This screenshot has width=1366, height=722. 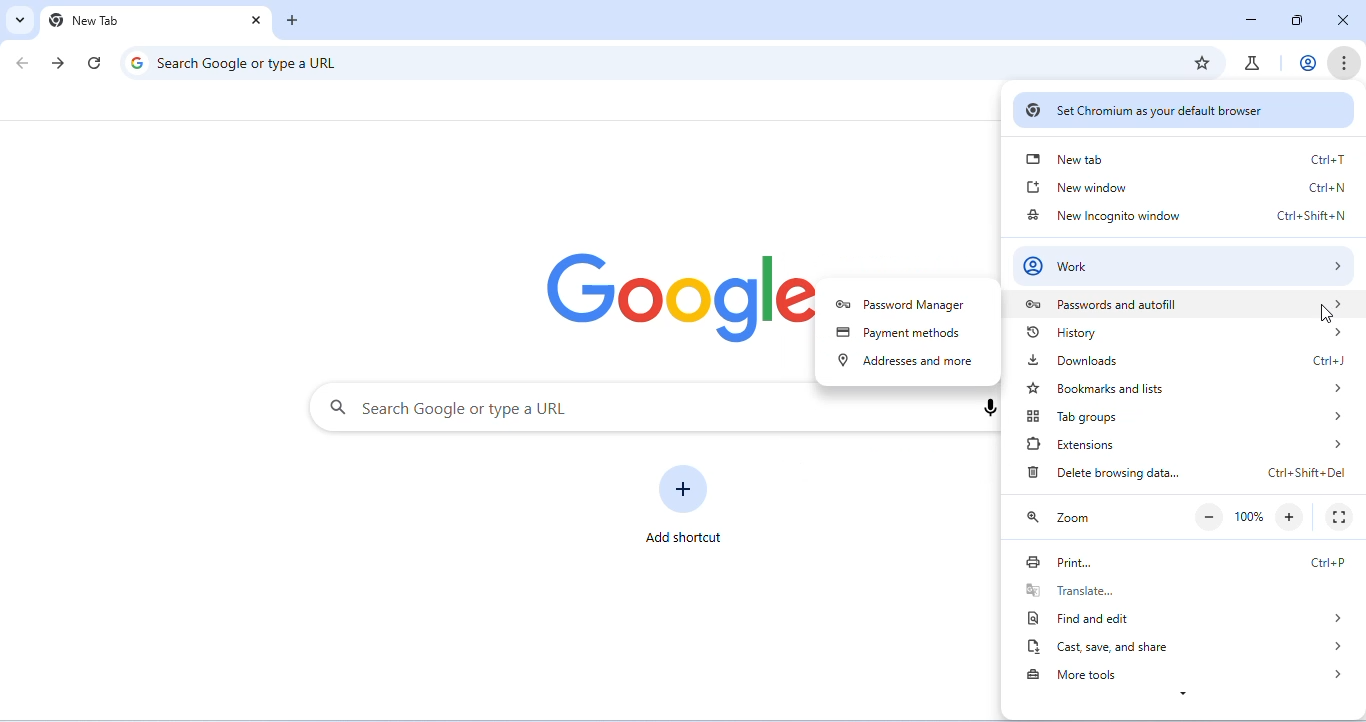 What do you see at coordinates (131, 22) in the screenshot?
I see `New Tab` at bounding box center [131, 22].